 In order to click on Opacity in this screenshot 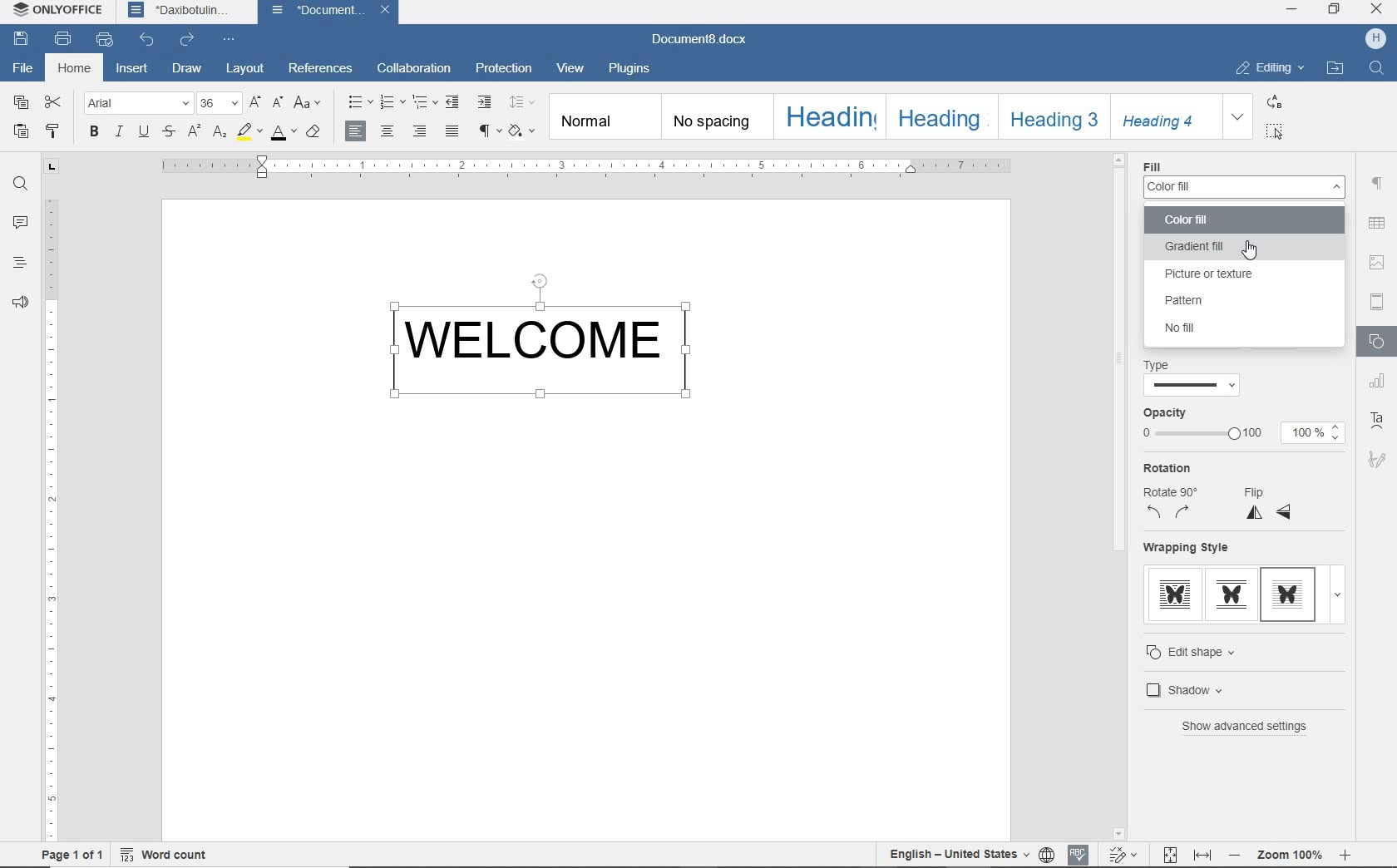, I will do `click(1165, 413)`.